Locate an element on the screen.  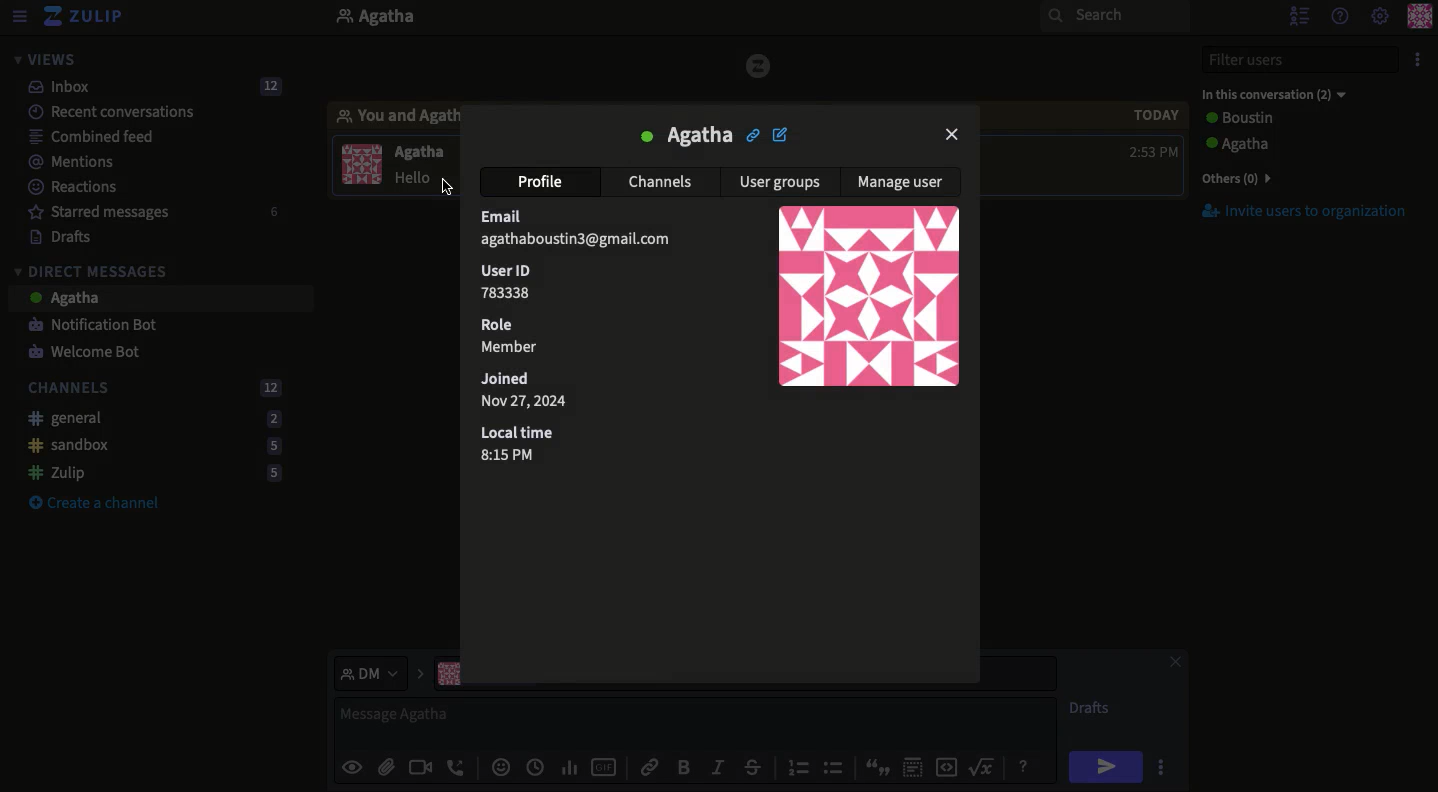
Video is located at coordinates (421, 768).